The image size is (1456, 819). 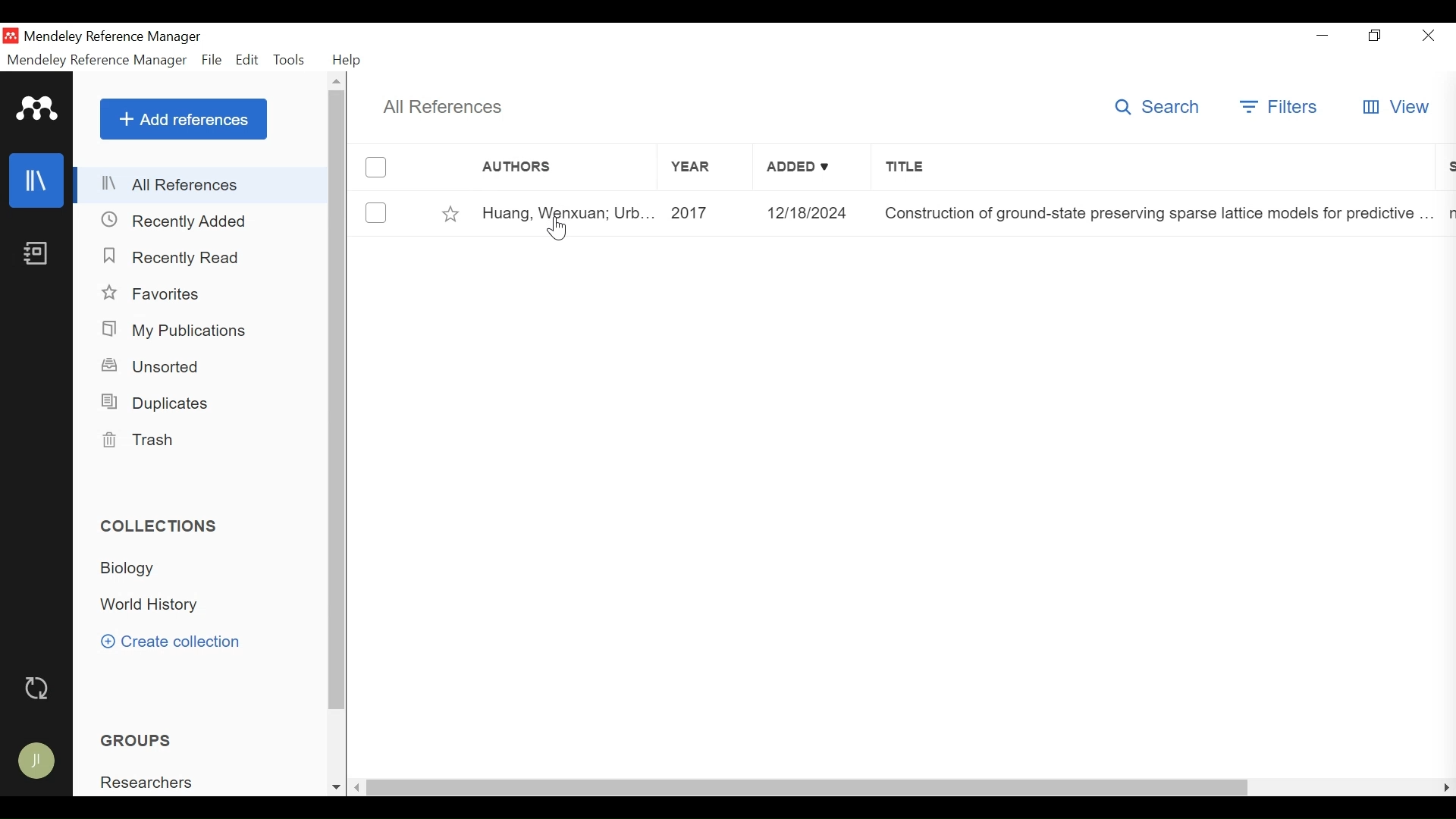 I want to click on Collection, so click(x=155, y=529).